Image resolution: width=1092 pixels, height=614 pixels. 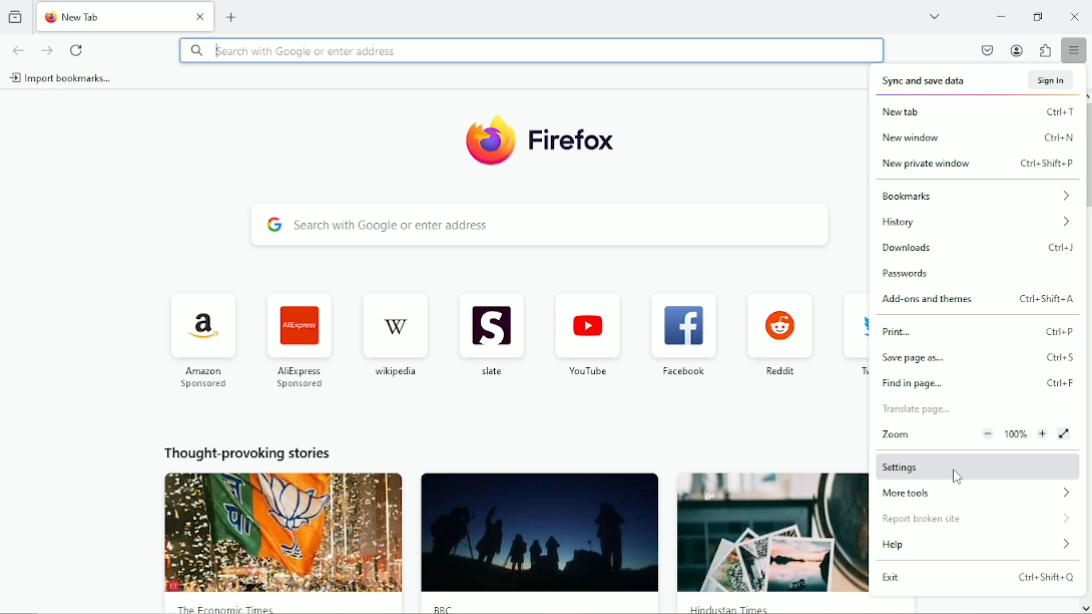 What do you see at coordinates (539, 533) in the screenshot?
I see `image` at bounding box center [539, 533].